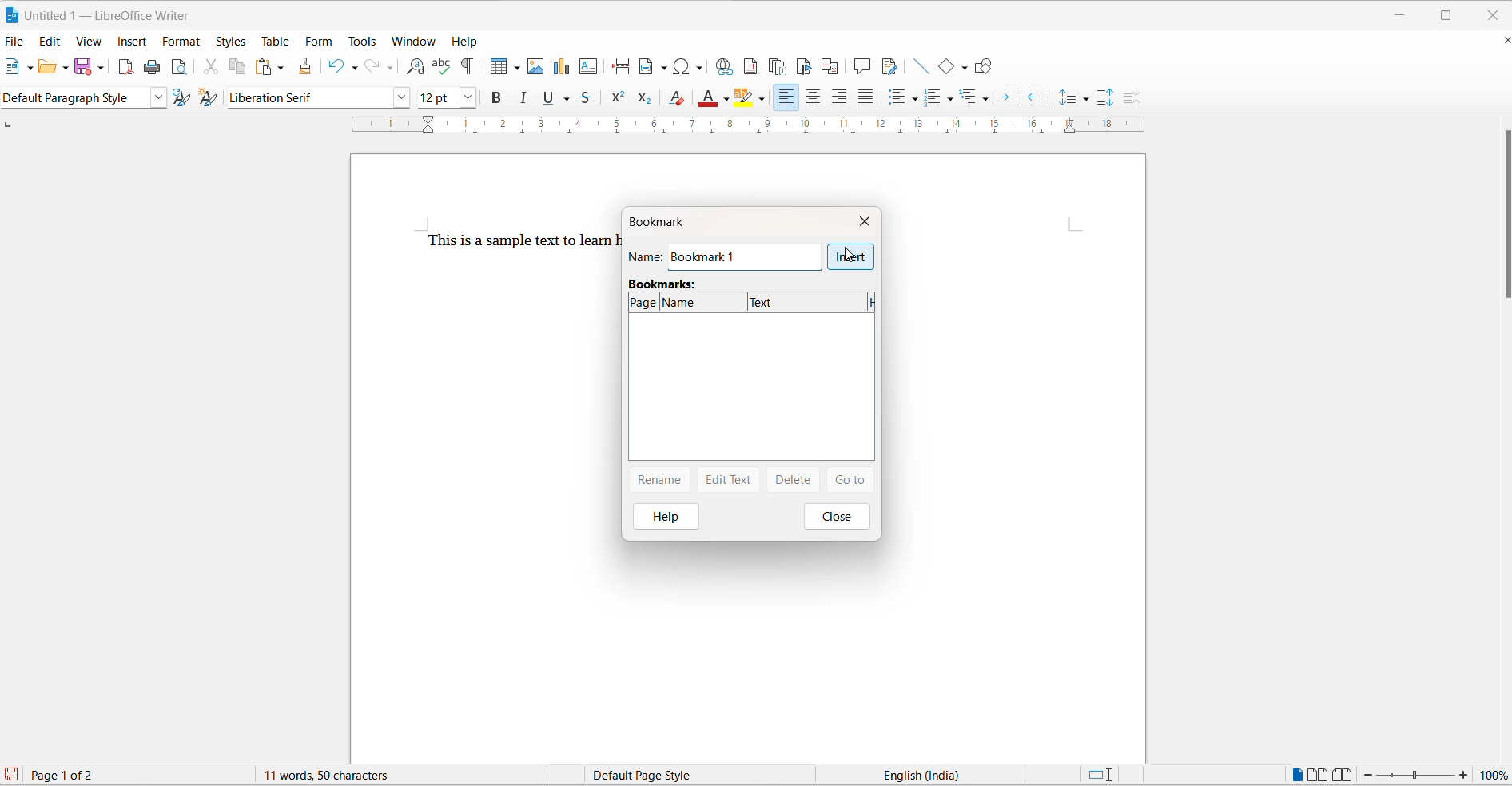  Describe the element at coordinates (1112, 100) in the screenshot. I see `increase paragraph space` at that location.